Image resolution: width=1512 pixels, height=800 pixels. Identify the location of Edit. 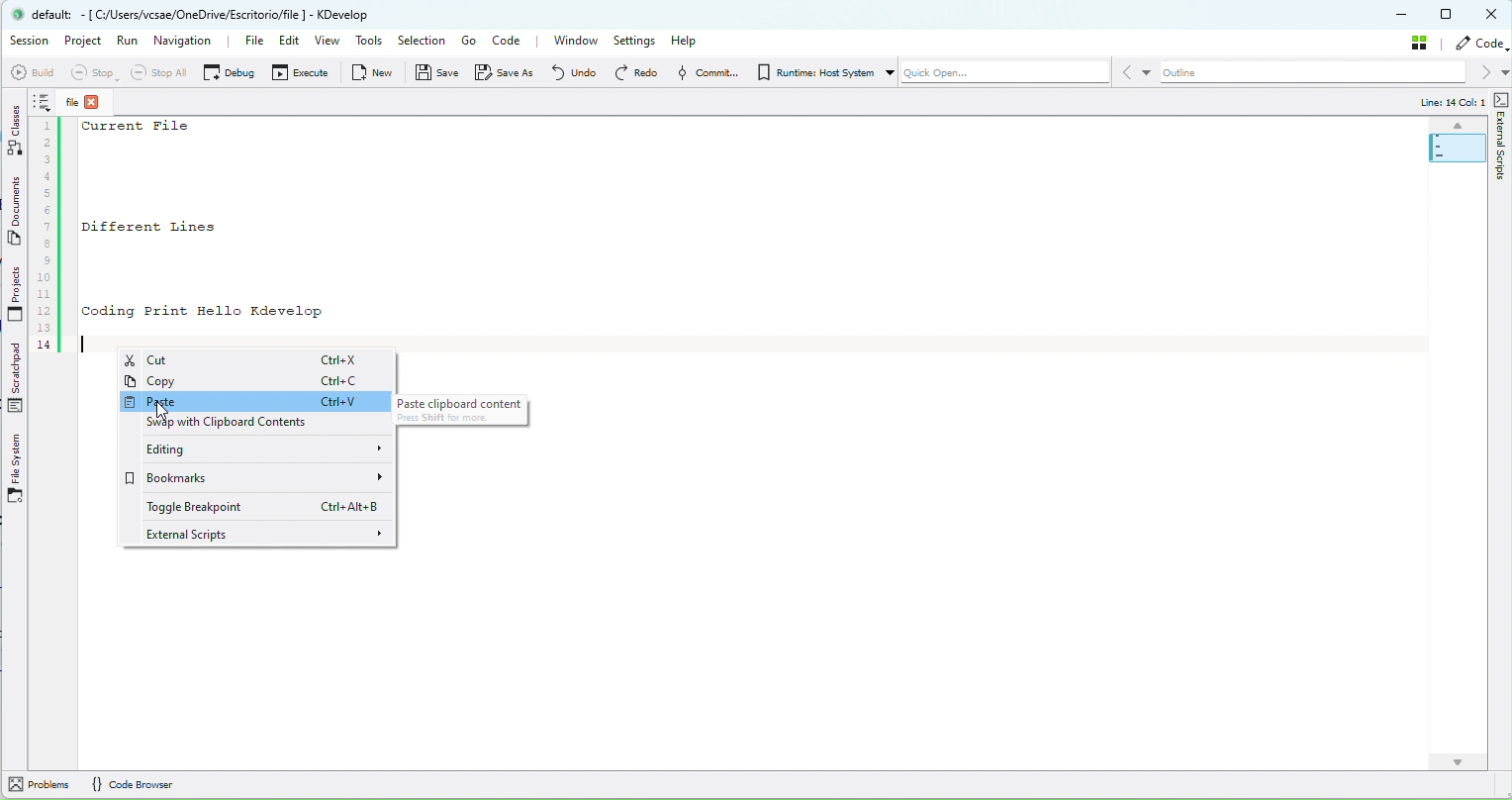
(285, 44).